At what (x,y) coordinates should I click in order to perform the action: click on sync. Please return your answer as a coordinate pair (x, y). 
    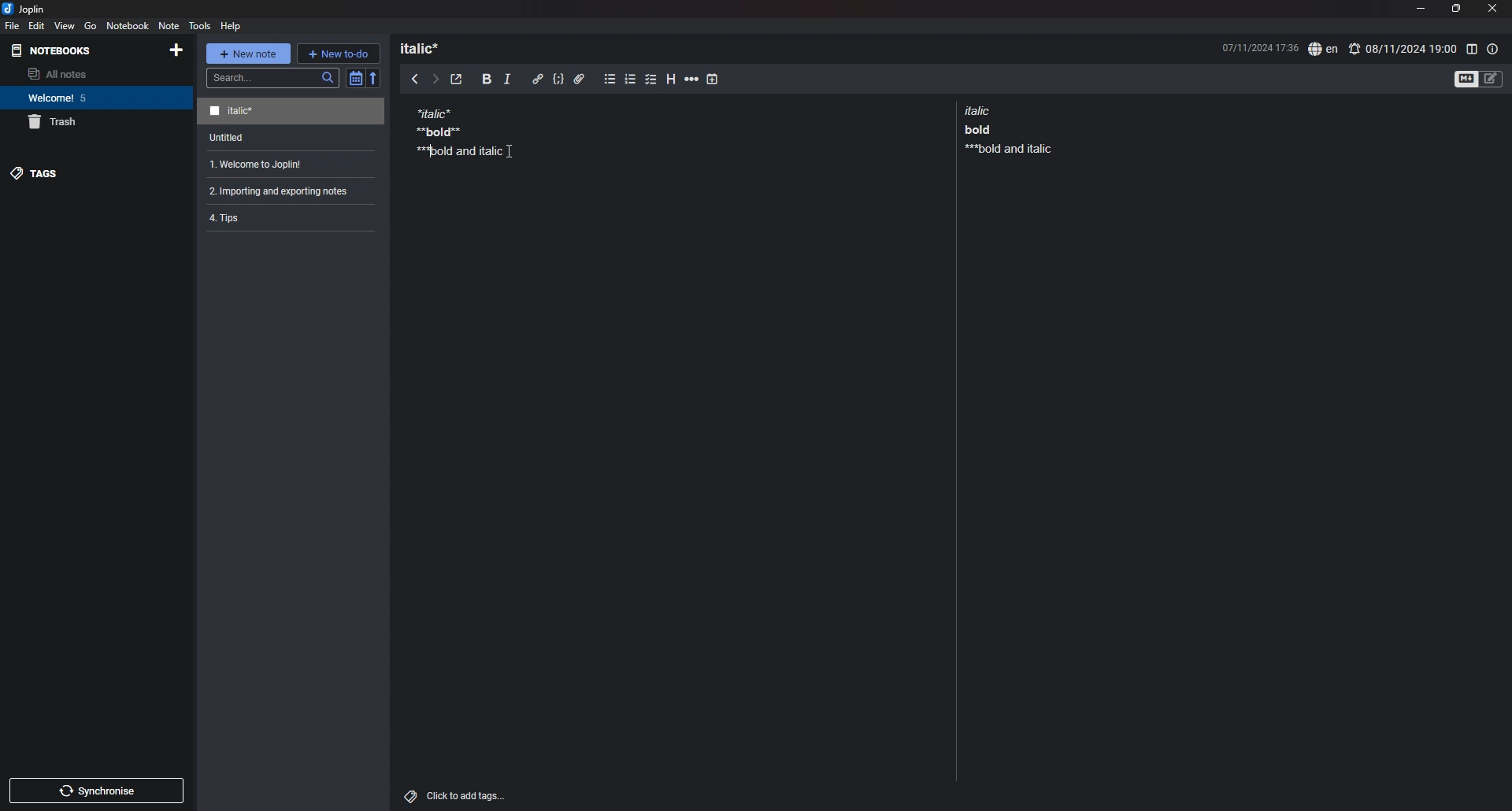
    Looking at the image, I should click on (98, 791).